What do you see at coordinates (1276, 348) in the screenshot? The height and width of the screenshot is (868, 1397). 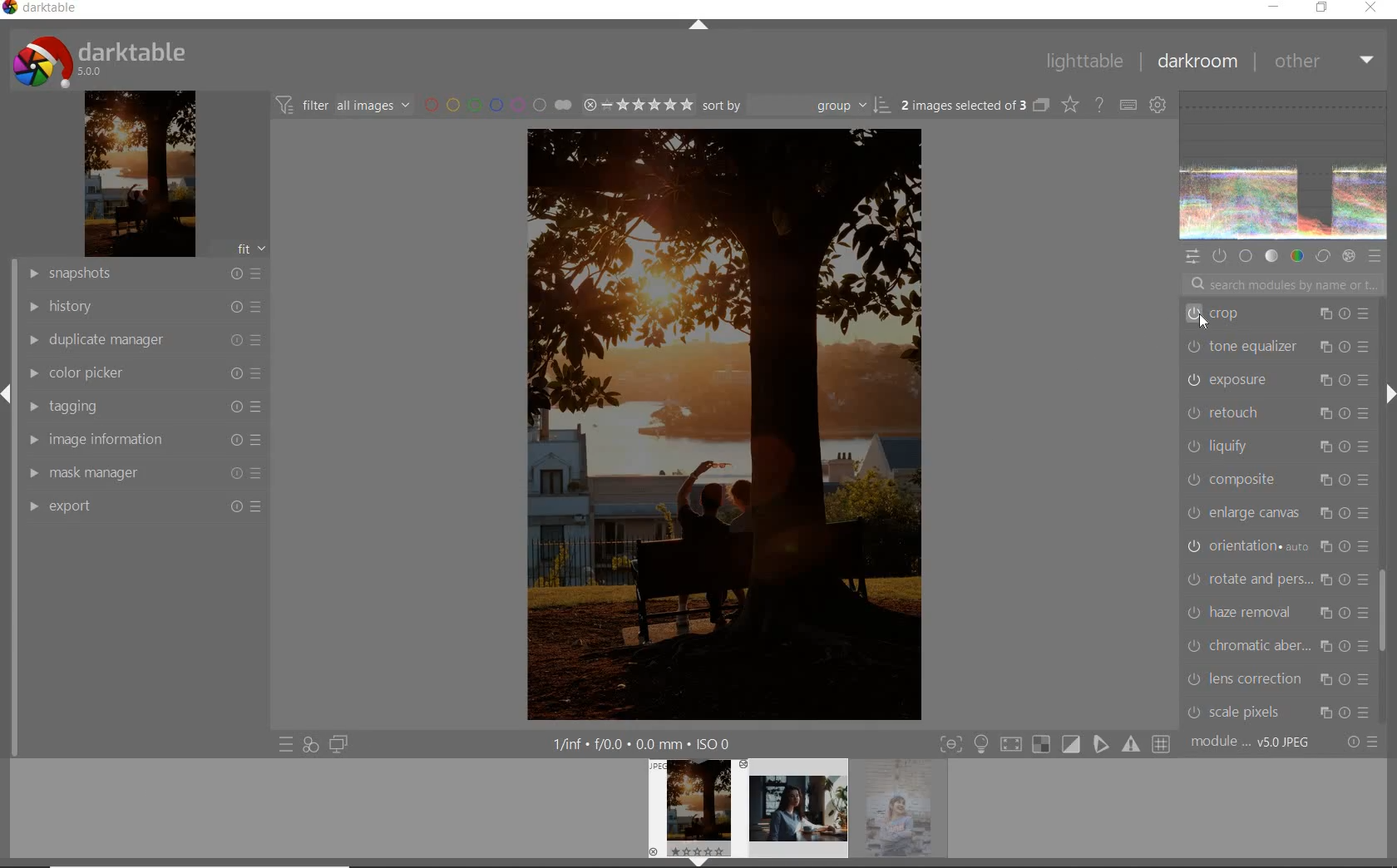 I see `tone equalizer` at bounding box center [1276, 348].